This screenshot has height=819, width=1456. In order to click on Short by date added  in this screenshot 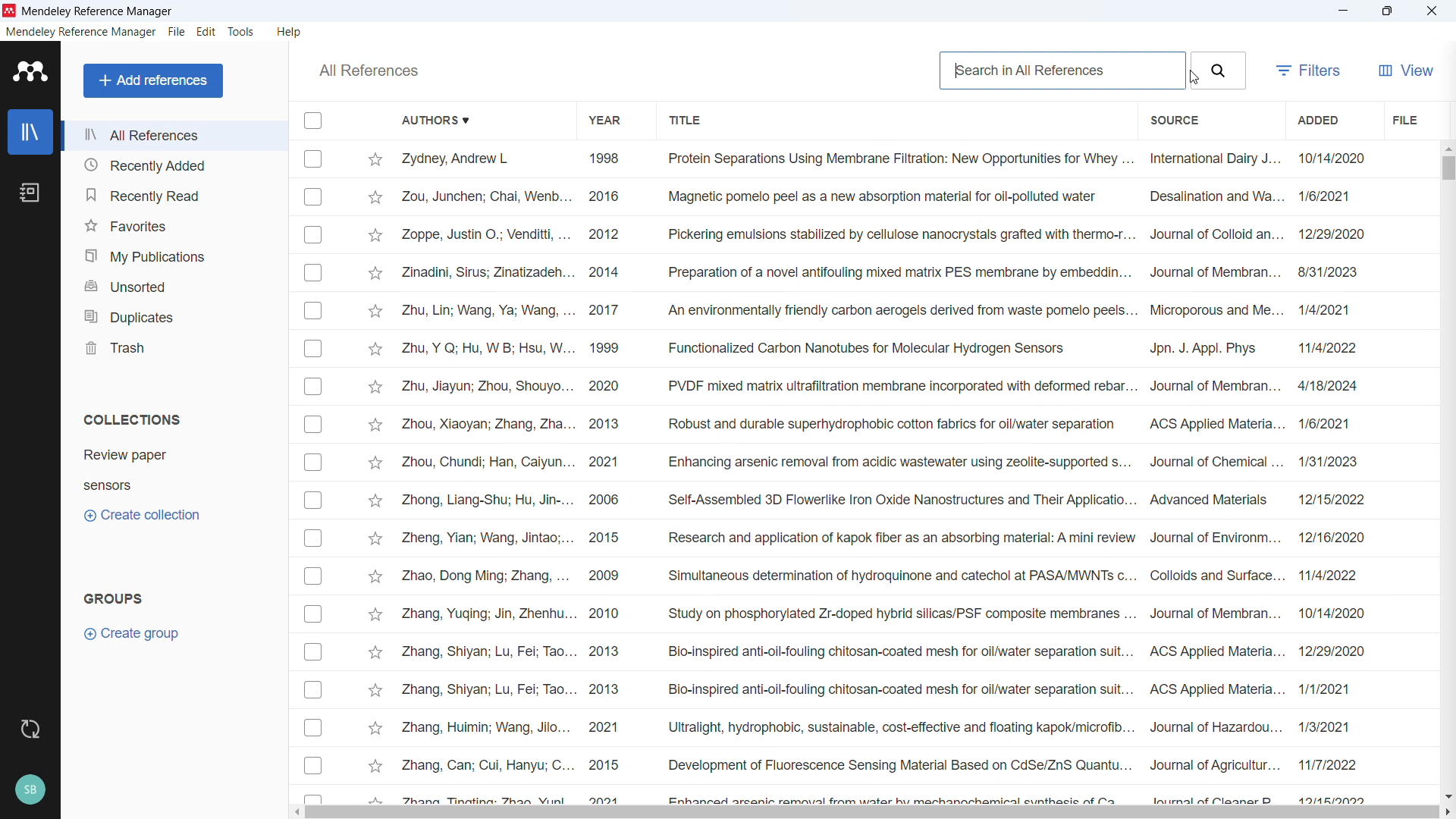, I will do `click(1316, 119)`.